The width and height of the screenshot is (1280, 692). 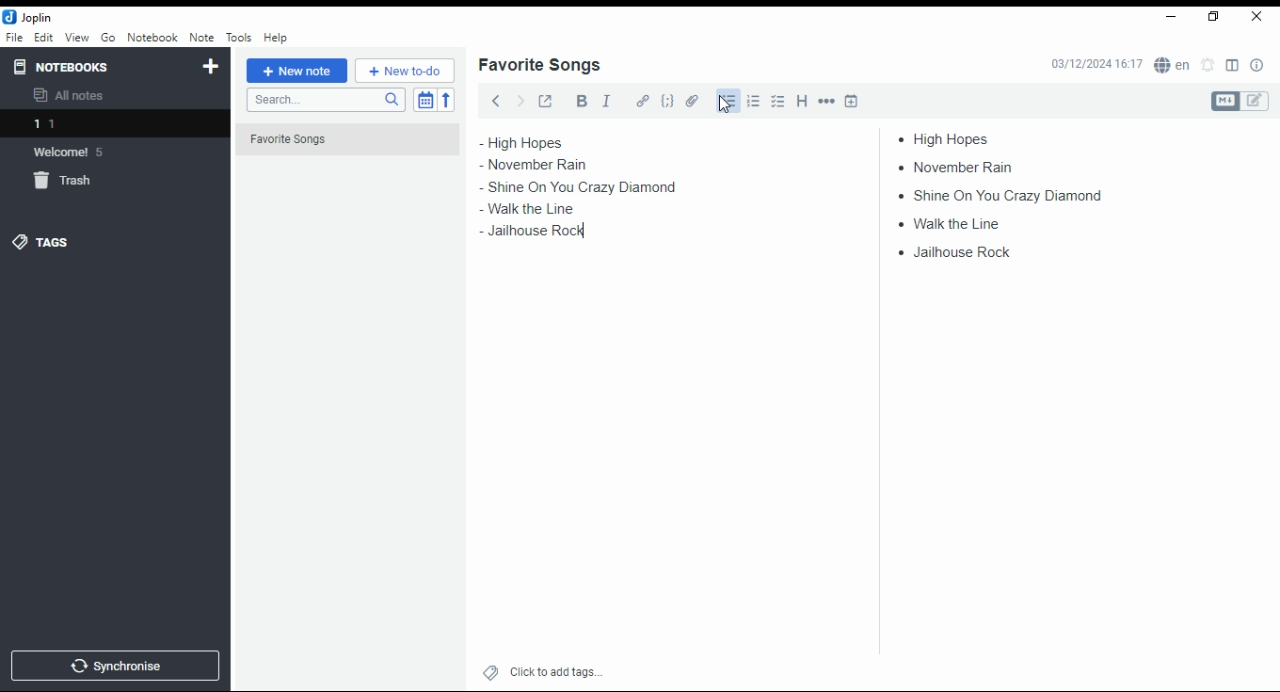 I want to click on high hopes, so click(x=547, y=143).